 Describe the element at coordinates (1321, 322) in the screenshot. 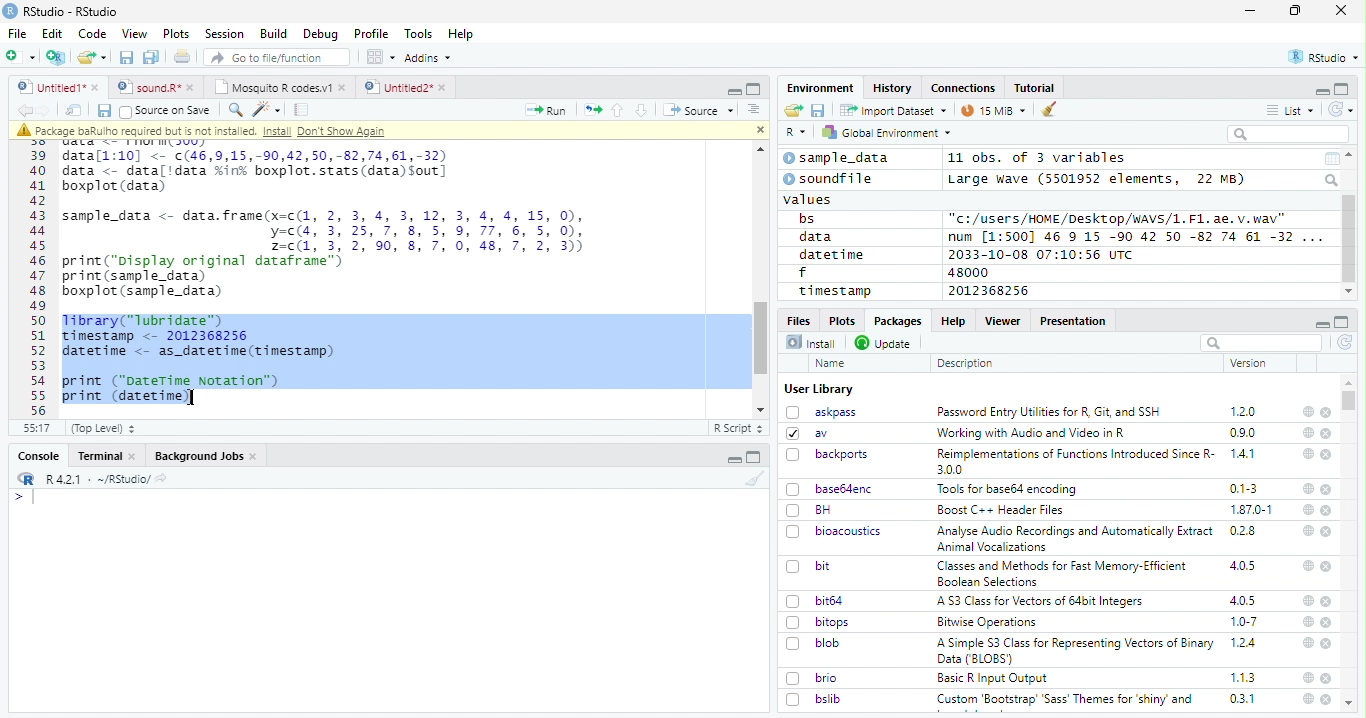

I see `minimize` at that location.